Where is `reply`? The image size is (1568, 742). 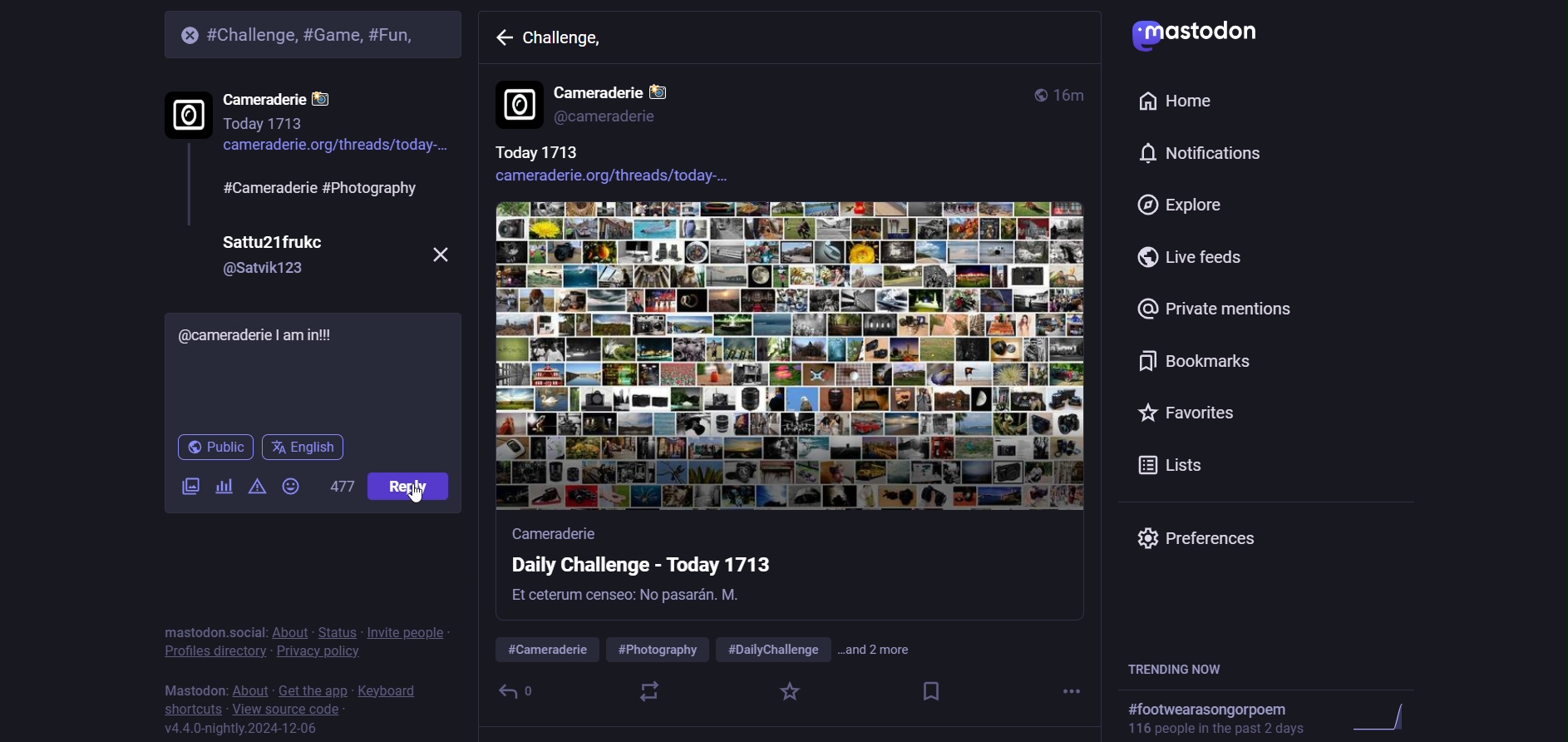
reply is located at coordinates (507, 691).